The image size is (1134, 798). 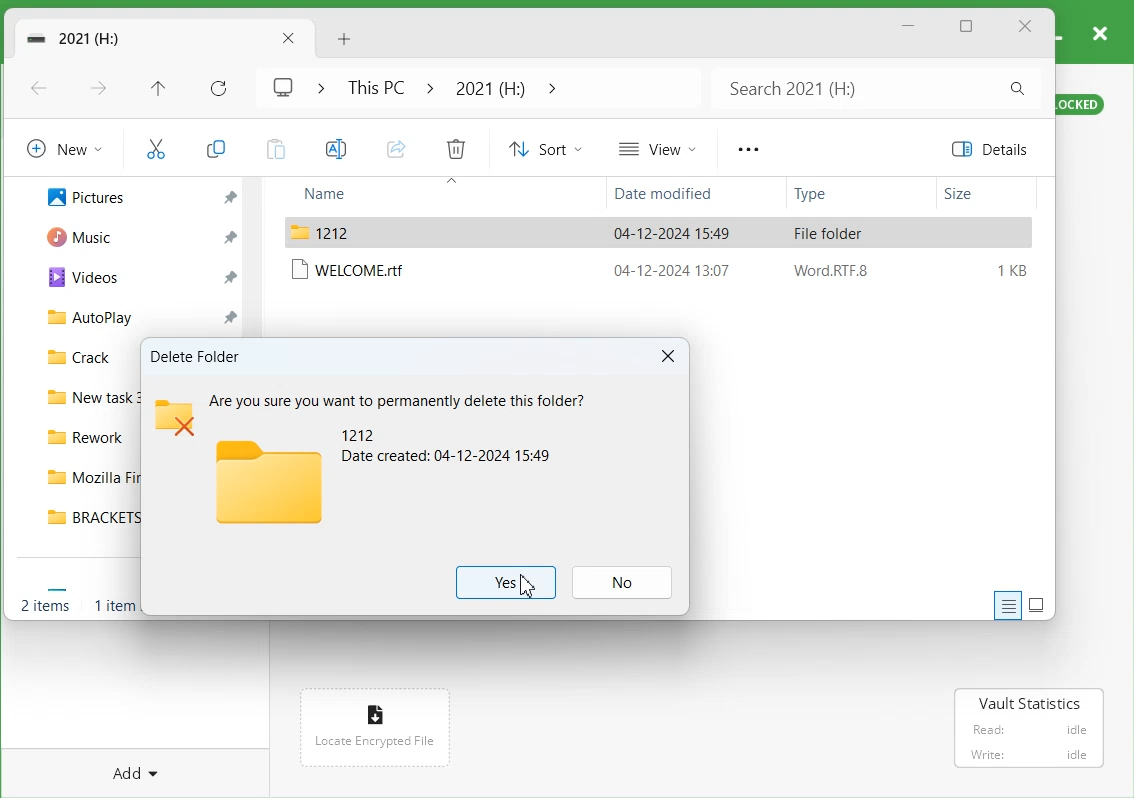 What do you see at coordinates (662, 270) in the screenshot?
I see `Welcome.rtf` at bounding box center [662, 270].